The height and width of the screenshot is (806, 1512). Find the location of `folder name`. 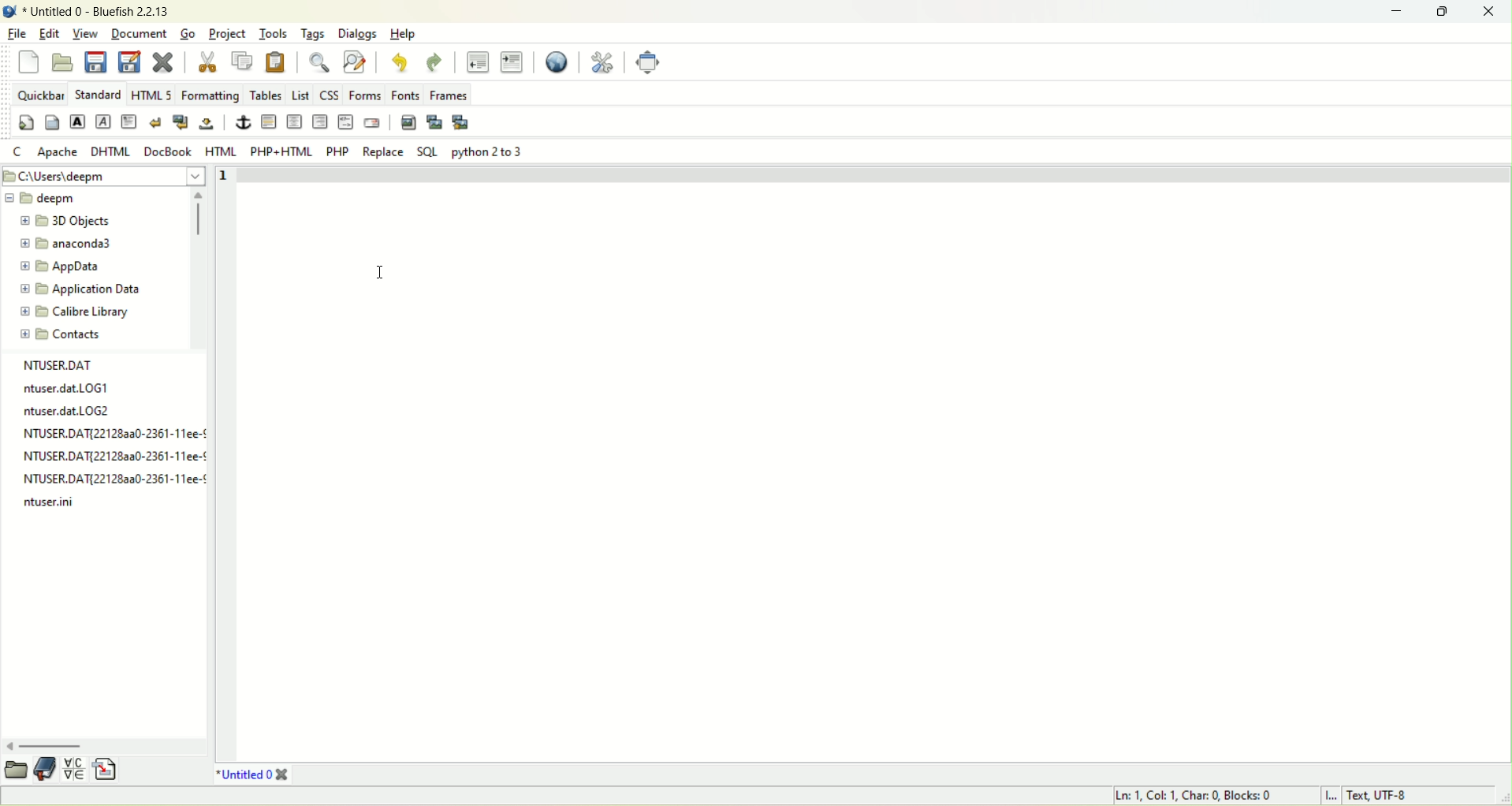

folder name is located at coordinates (76, 221).